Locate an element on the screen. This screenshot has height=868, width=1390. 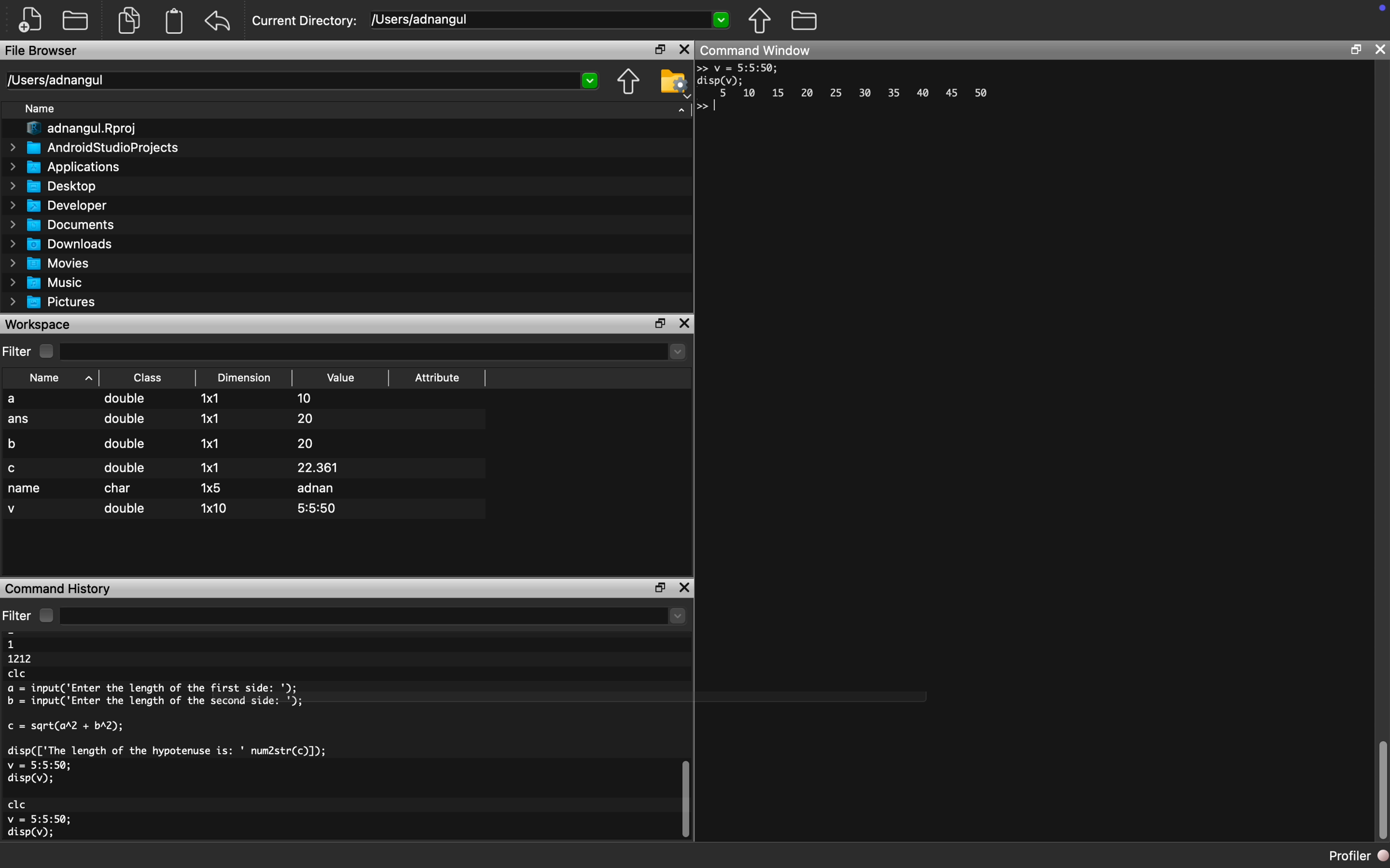
5:5:50 is located at coordinates (318, 509).